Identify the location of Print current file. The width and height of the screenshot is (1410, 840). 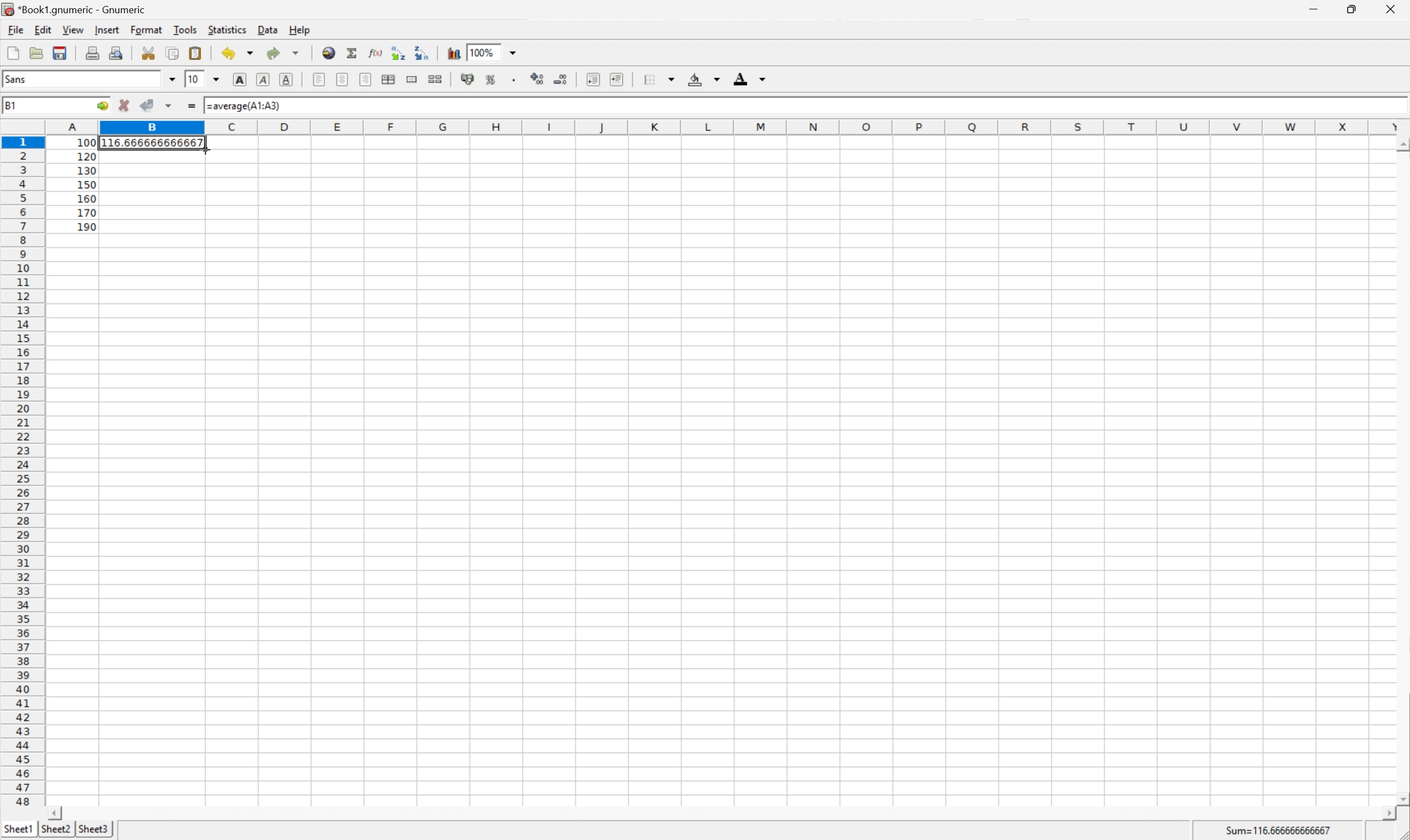
(93, 52).